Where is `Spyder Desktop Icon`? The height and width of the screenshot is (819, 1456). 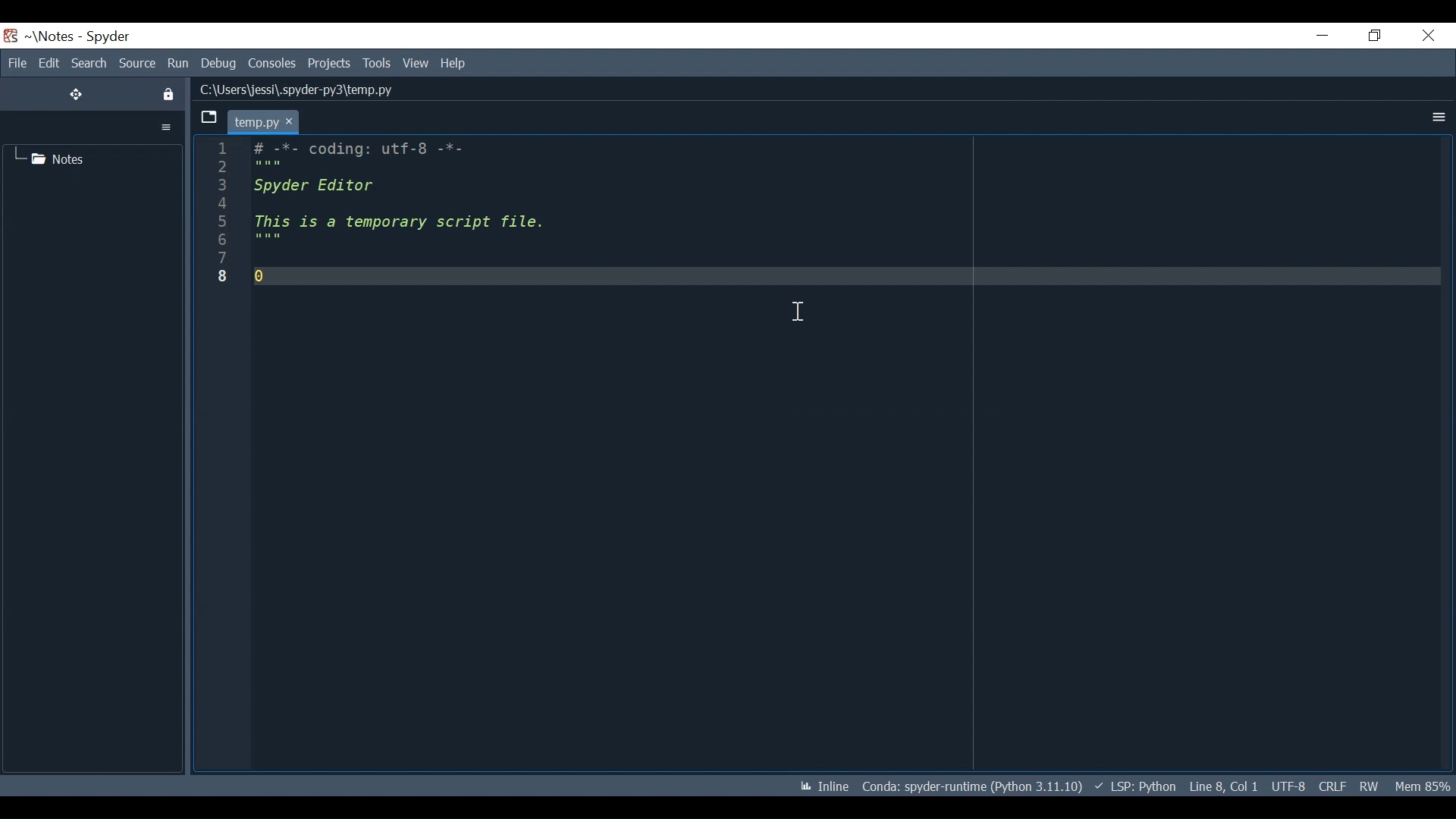 Spyder Desktop Icon is located at coordinates (10, 36).